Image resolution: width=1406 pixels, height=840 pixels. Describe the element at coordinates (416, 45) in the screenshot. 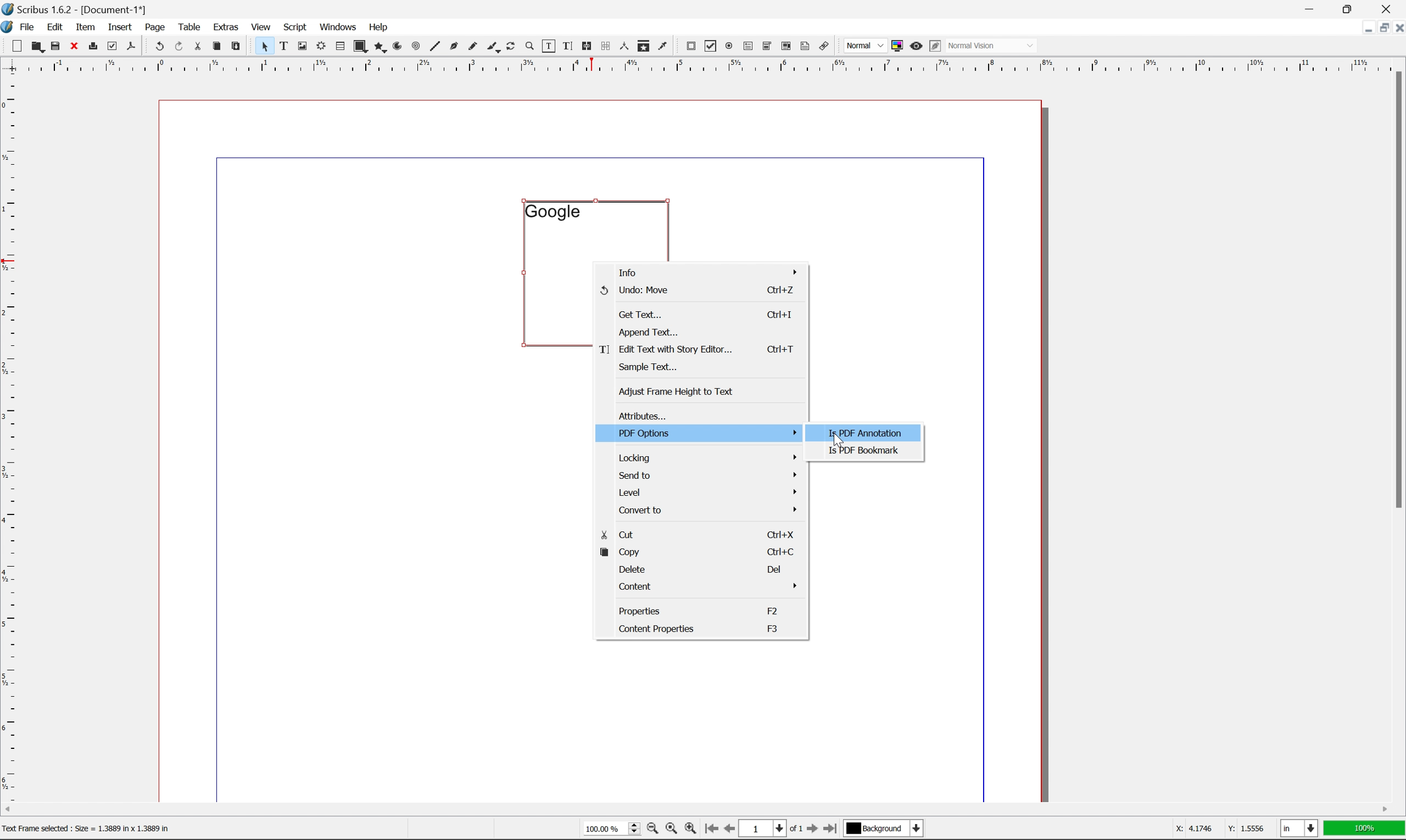

I see `spiral` at that location.